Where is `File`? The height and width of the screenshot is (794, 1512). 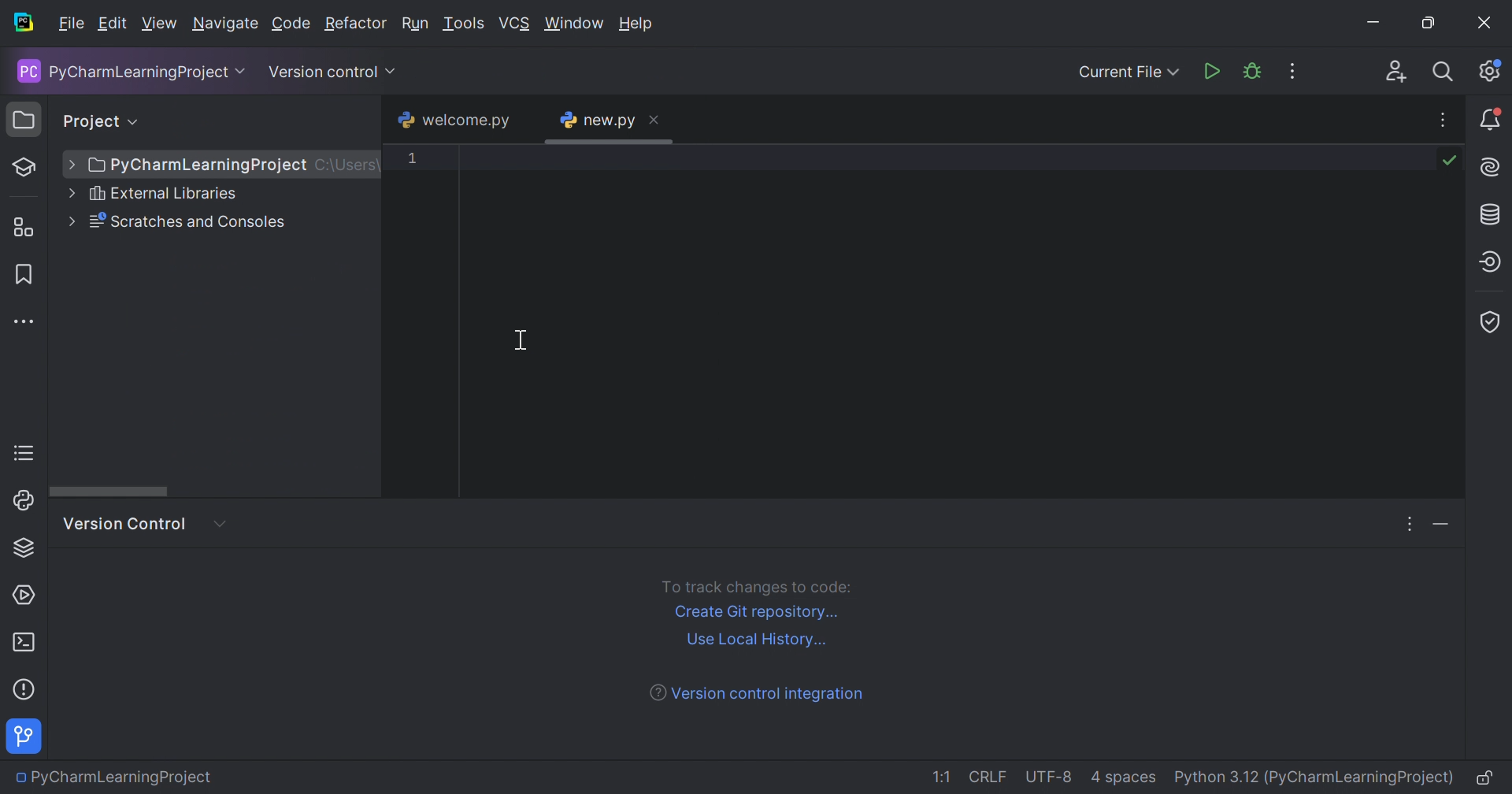 File is located at coordinates (70, 24).